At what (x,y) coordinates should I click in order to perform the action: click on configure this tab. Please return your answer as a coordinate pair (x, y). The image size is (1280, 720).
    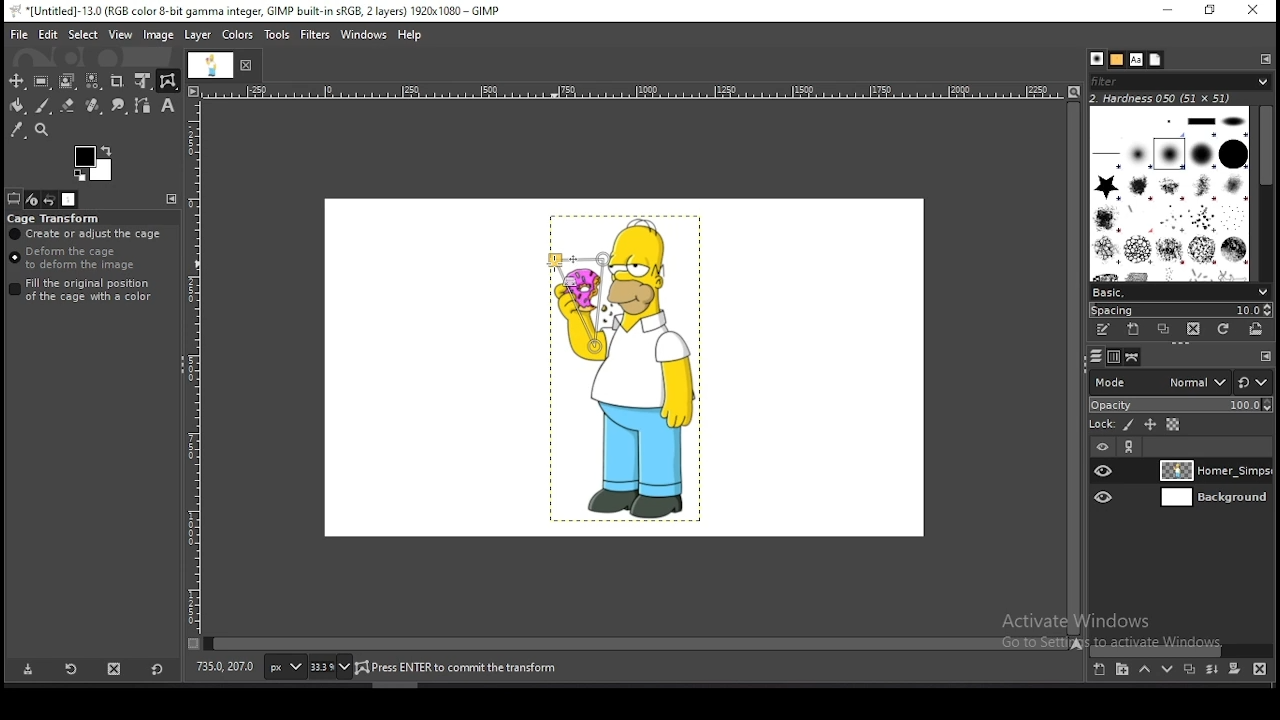
    Looking at the image, I should click on (1266, 59).